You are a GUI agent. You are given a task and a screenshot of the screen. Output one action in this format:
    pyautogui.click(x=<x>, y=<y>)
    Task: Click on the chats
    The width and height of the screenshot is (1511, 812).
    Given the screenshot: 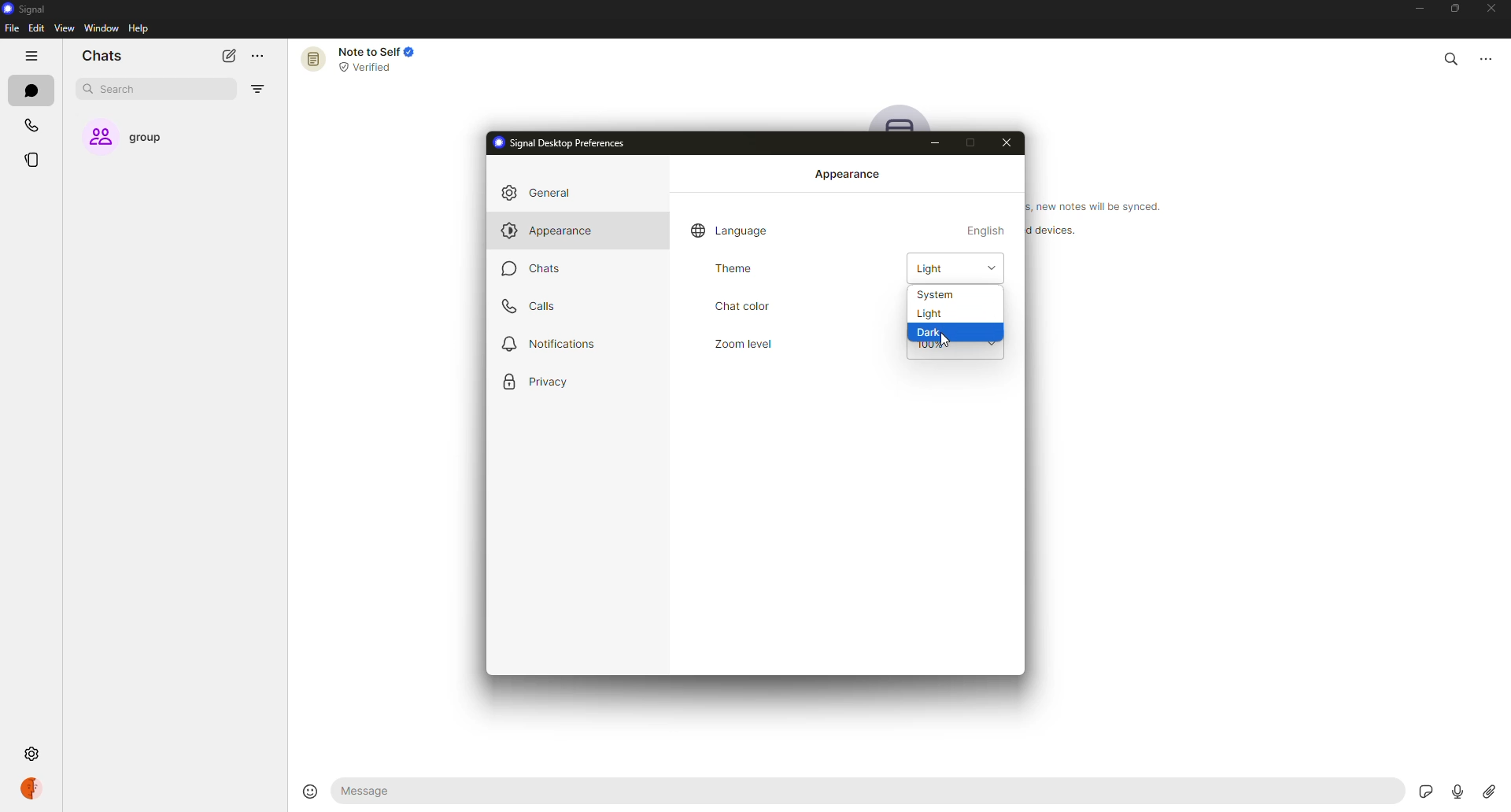 What is the action you would take?
    pyautogui.click(x=102, y=57)
    